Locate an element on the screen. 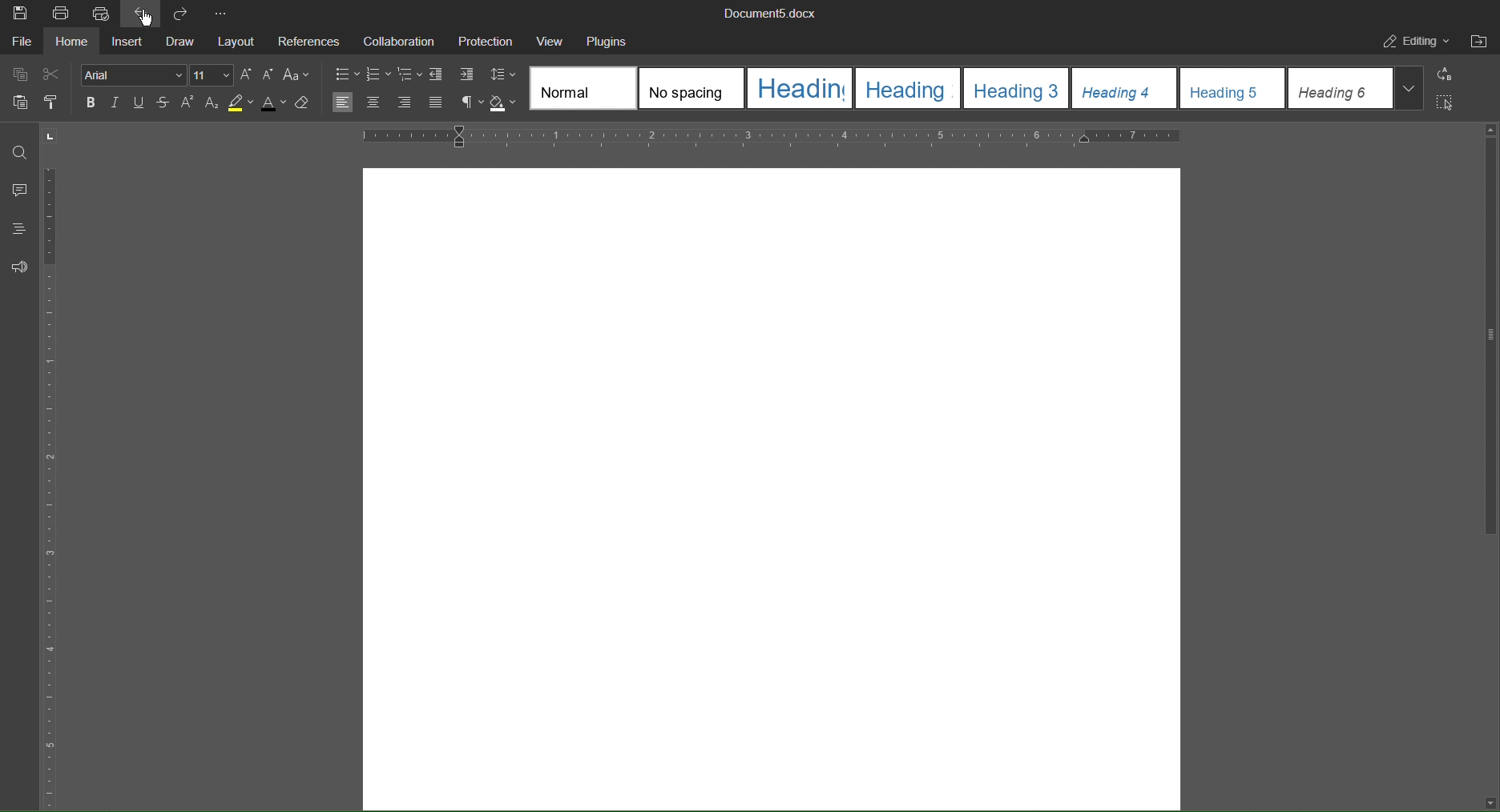 This screenshot has width=1500, height=812. Replace is located at coordinates (1449, 74).